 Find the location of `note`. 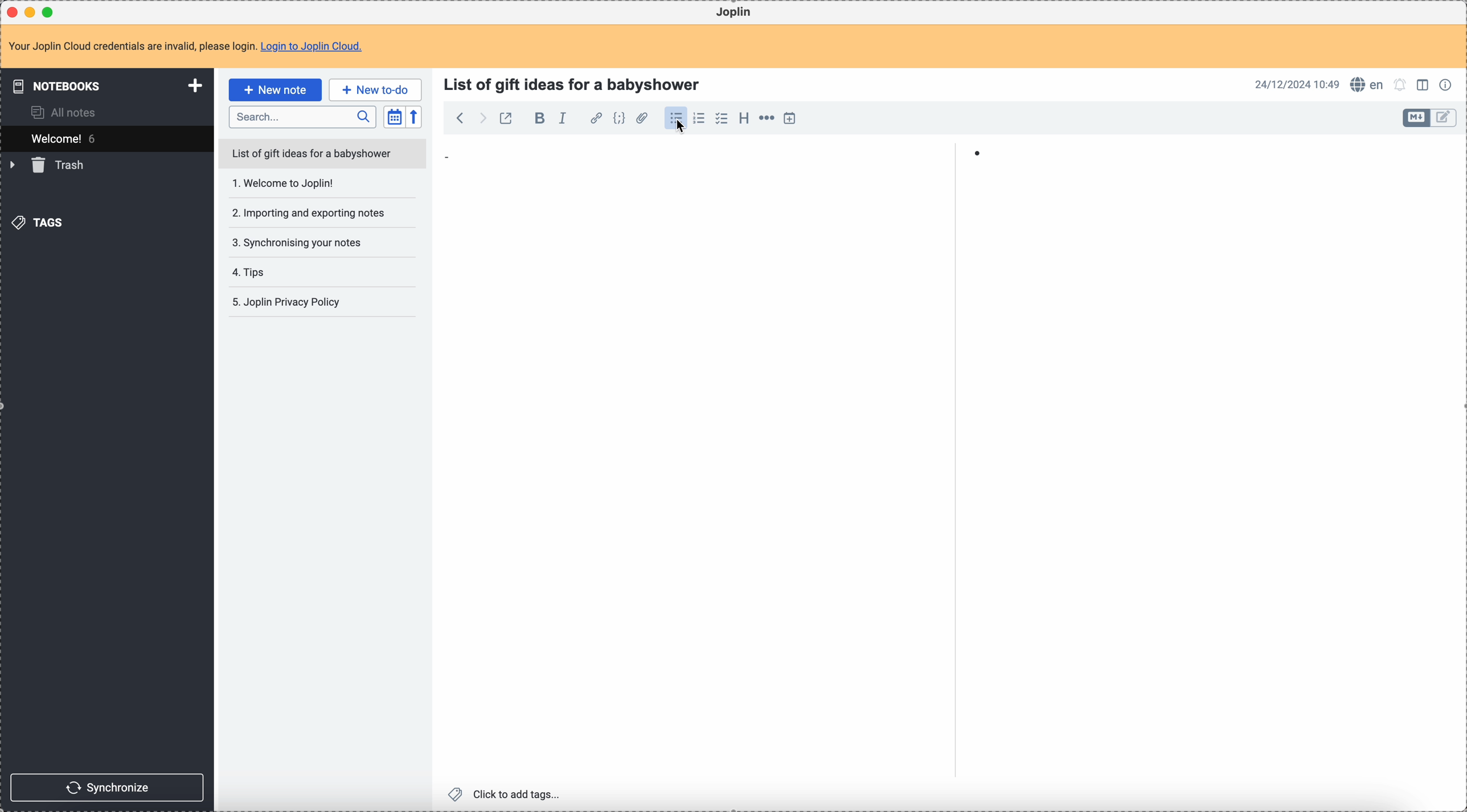

note is located at coordinates (185, 46).